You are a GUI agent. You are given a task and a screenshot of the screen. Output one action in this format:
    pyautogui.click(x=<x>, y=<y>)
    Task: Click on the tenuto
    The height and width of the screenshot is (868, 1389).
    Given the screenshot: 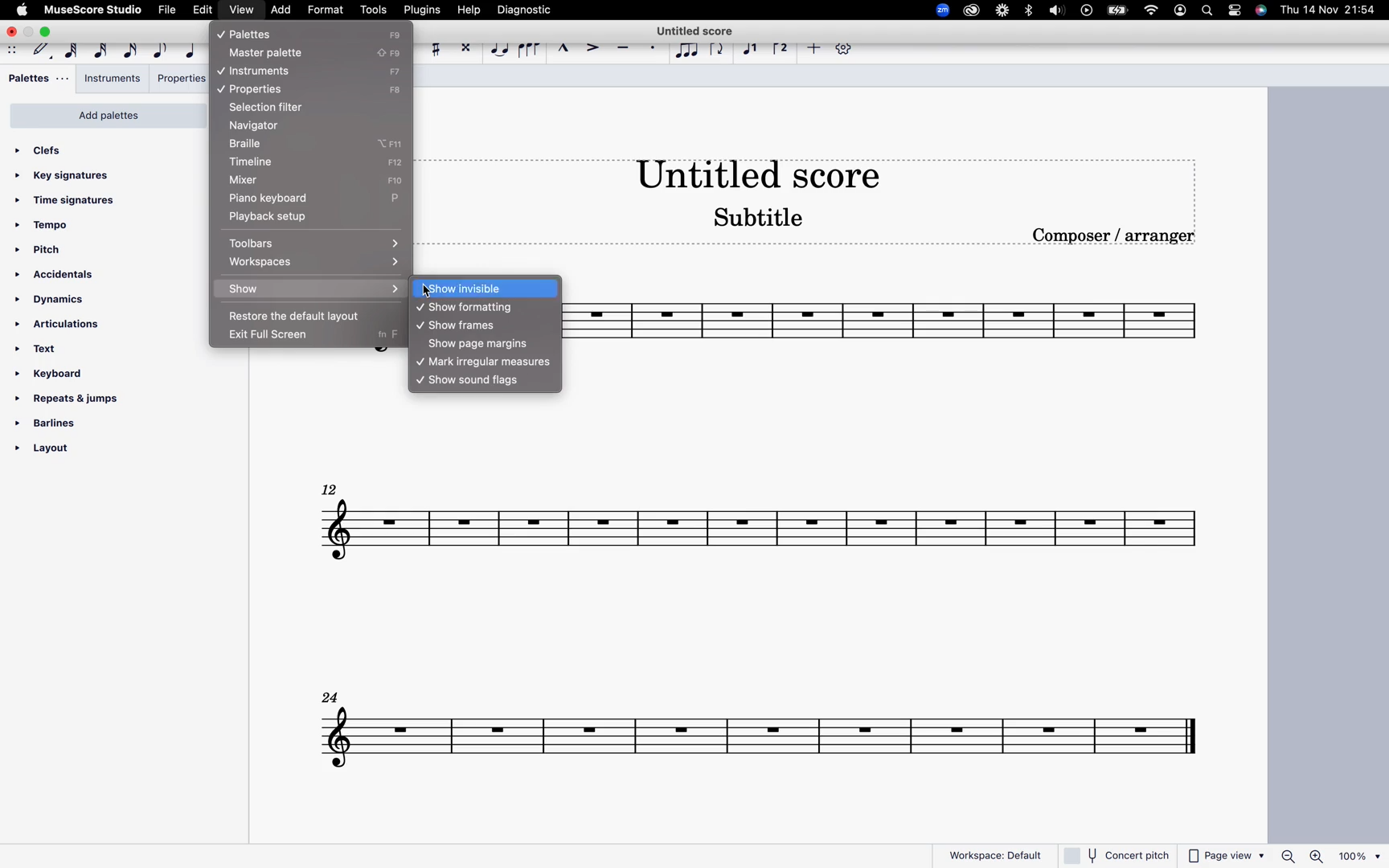 What is the action you would take?
    pyautogui.click(x=623, y=48)
    